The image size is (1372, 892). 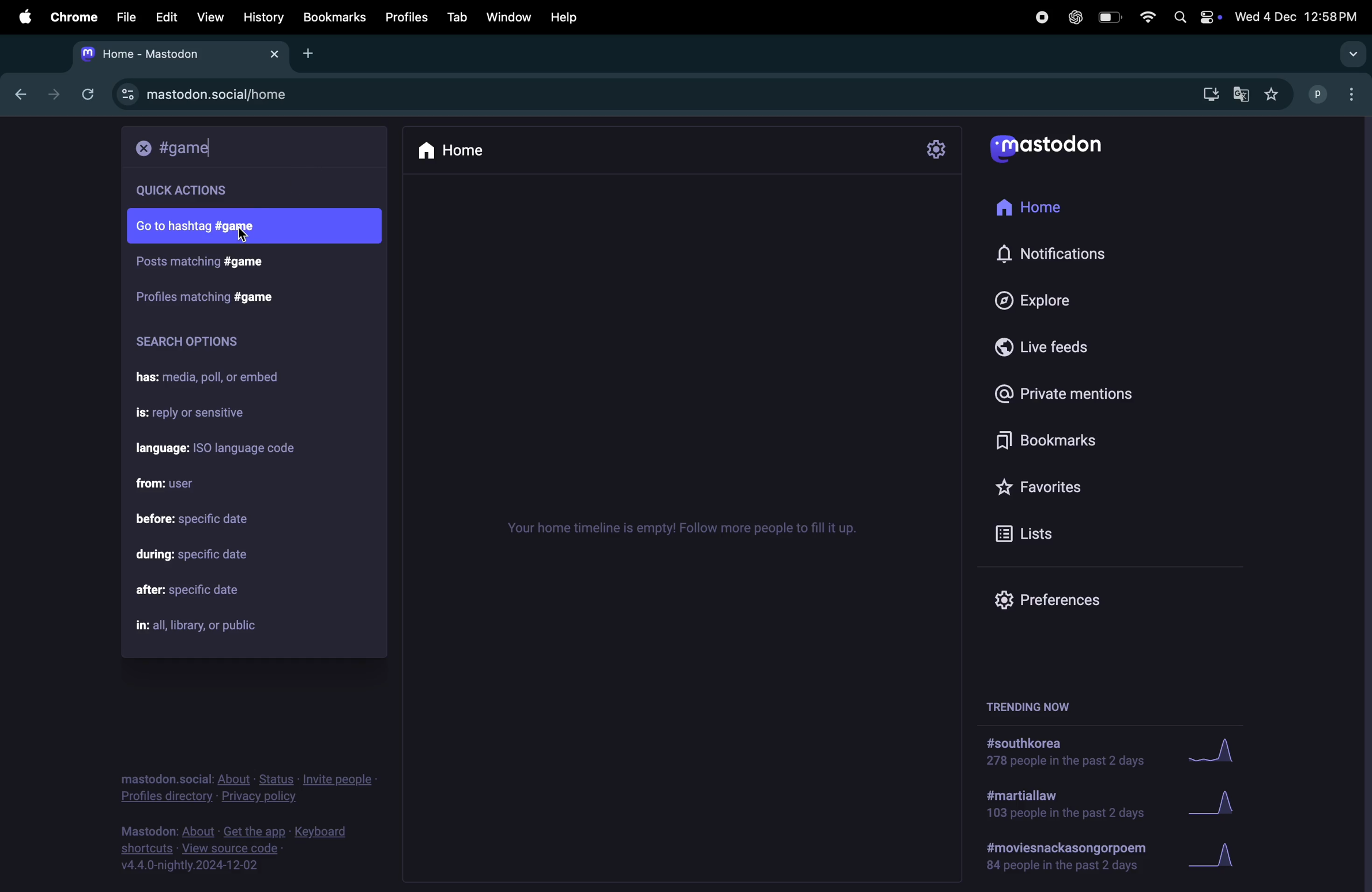 I want to click on help, so click(x=563, y=17).